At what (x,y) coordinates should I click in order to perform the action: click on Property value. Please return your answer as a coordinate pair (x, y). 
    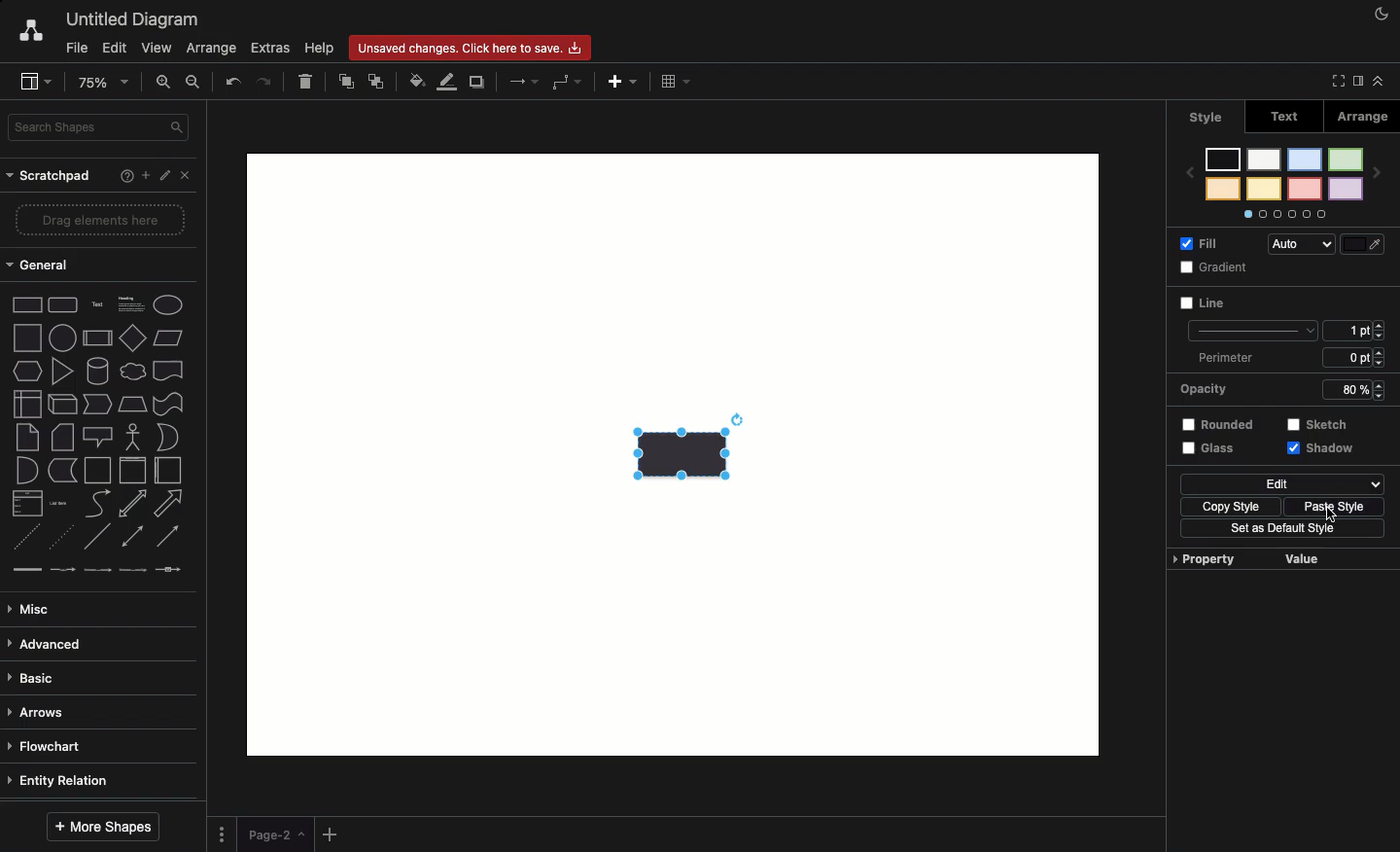
    Looking at the image, I should click on (1248, 559).